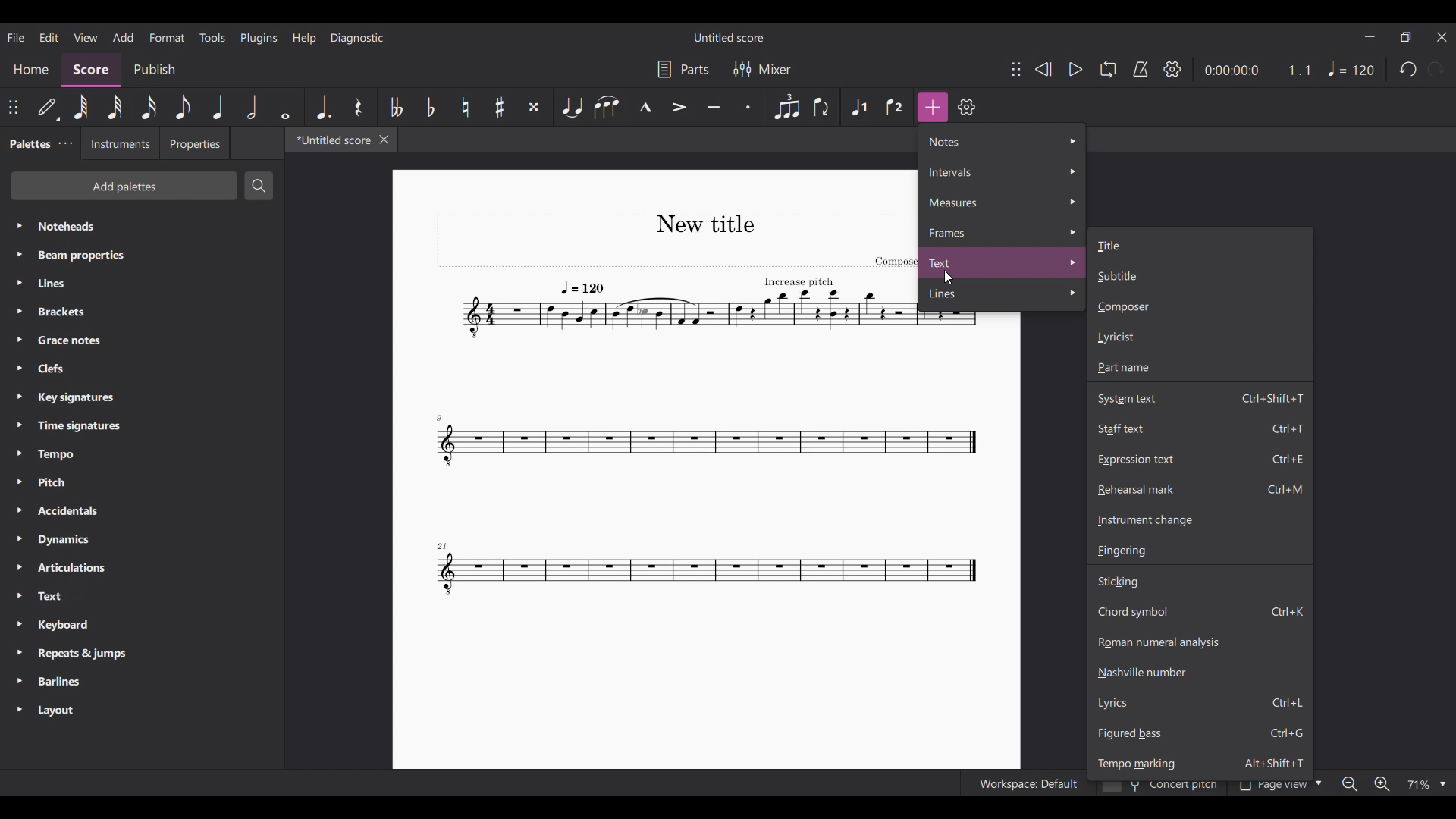 This screenshot has width=1456, height=819. What do you see at coordinates (80, 107) in the screenshot?
I see `64th note` at bounding box center [80, 107].